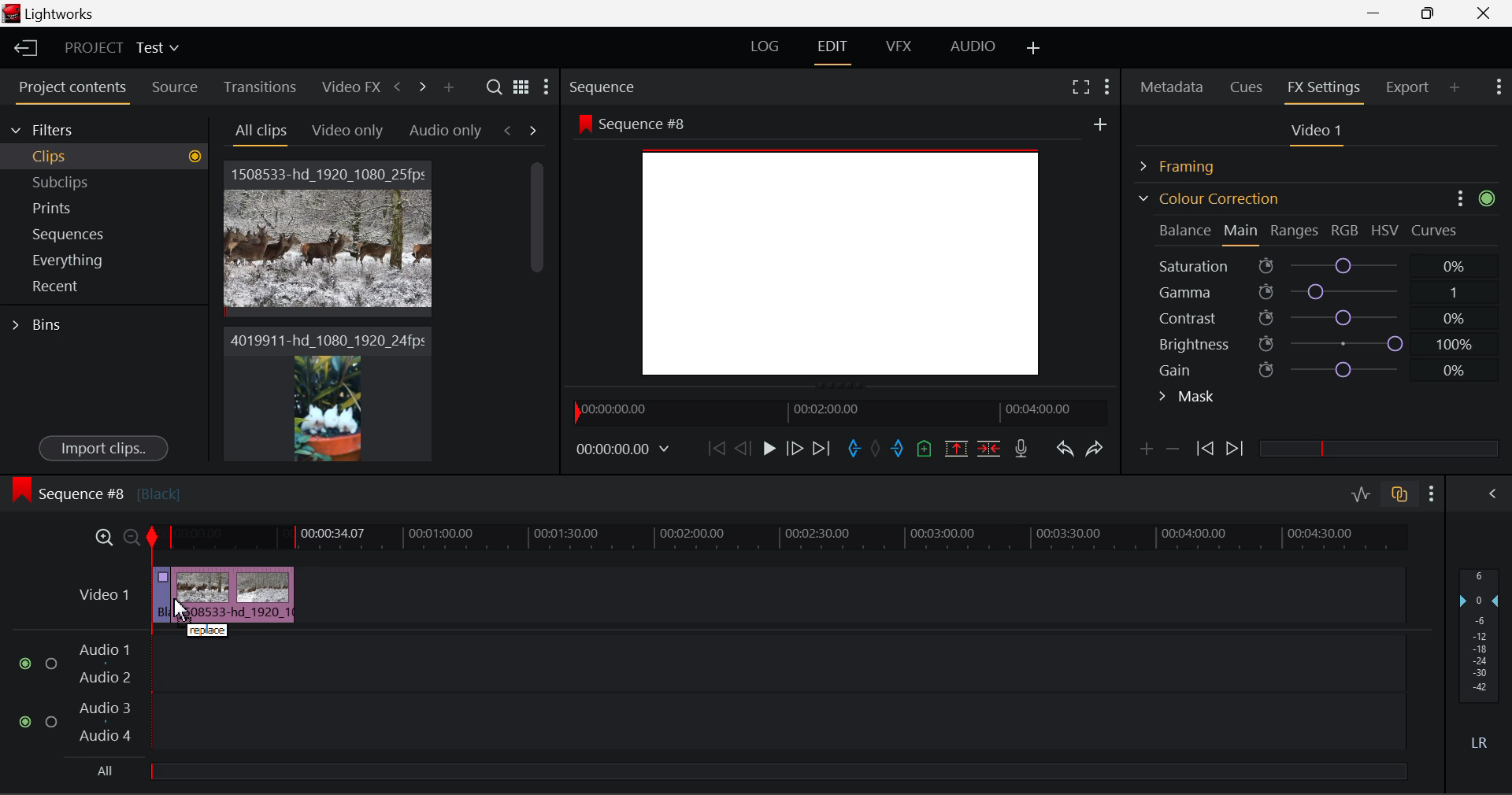 This screenshot has height=795, width=1512. I want to click on icon, so click(1488, 196).